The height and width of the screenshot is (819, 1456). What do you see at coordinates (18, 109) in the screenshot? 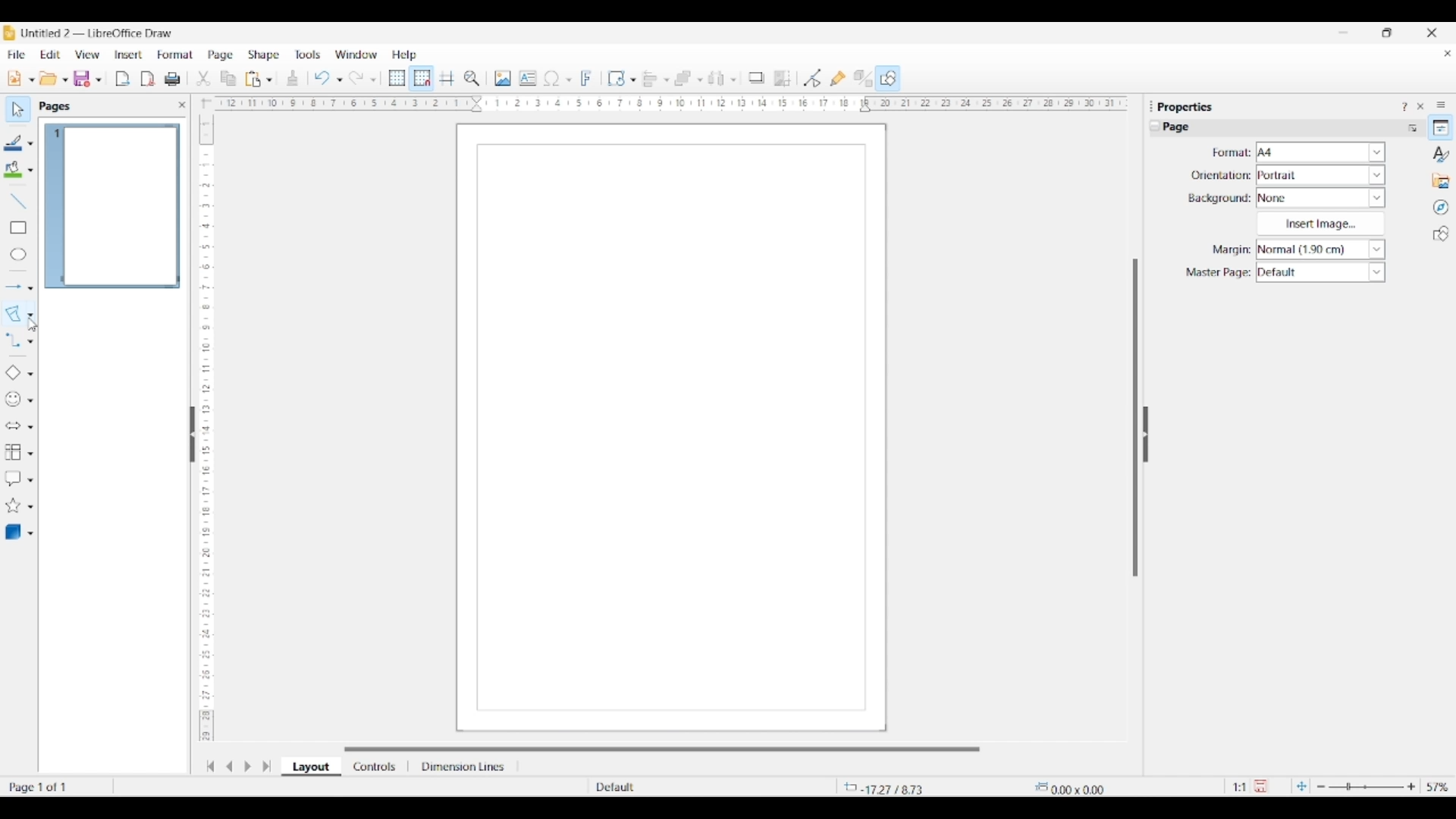
I see `Select` at bounding box center [18, 109].